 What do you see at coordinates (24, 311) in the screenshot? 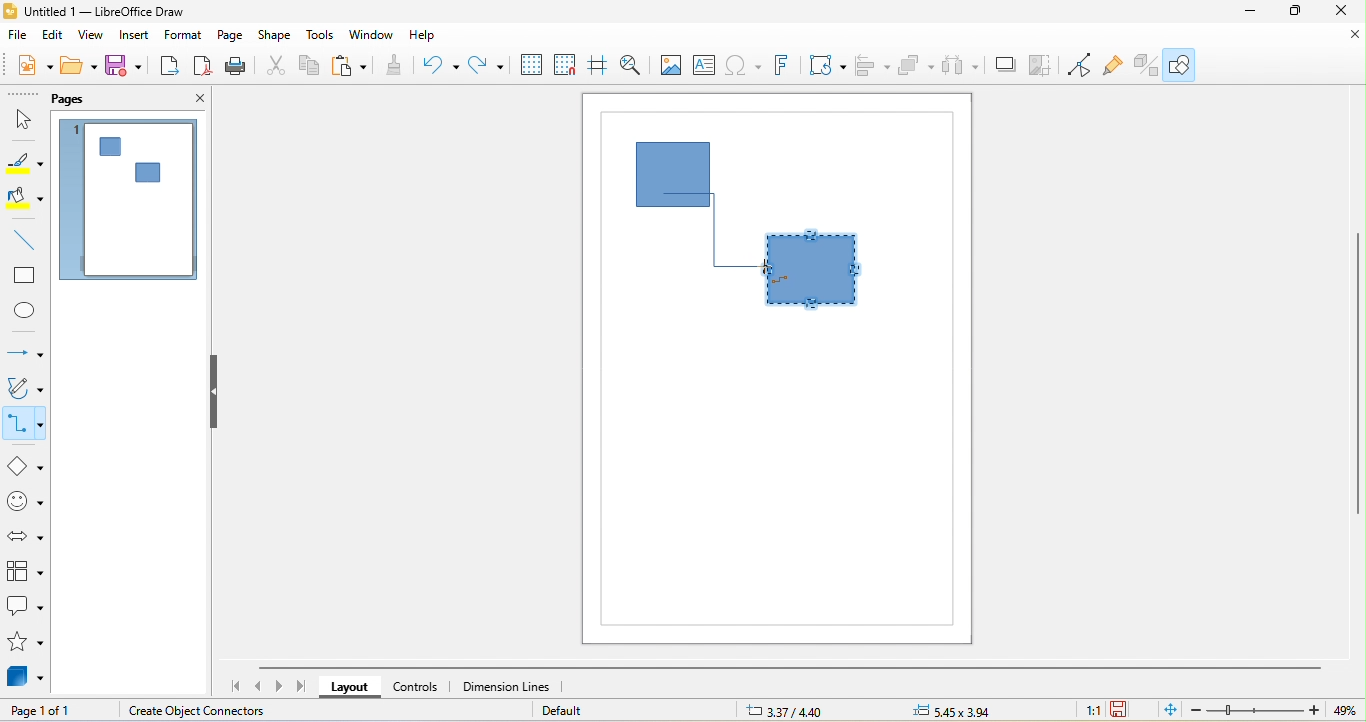
I see `ellipse` at bounding box center [24, 311].